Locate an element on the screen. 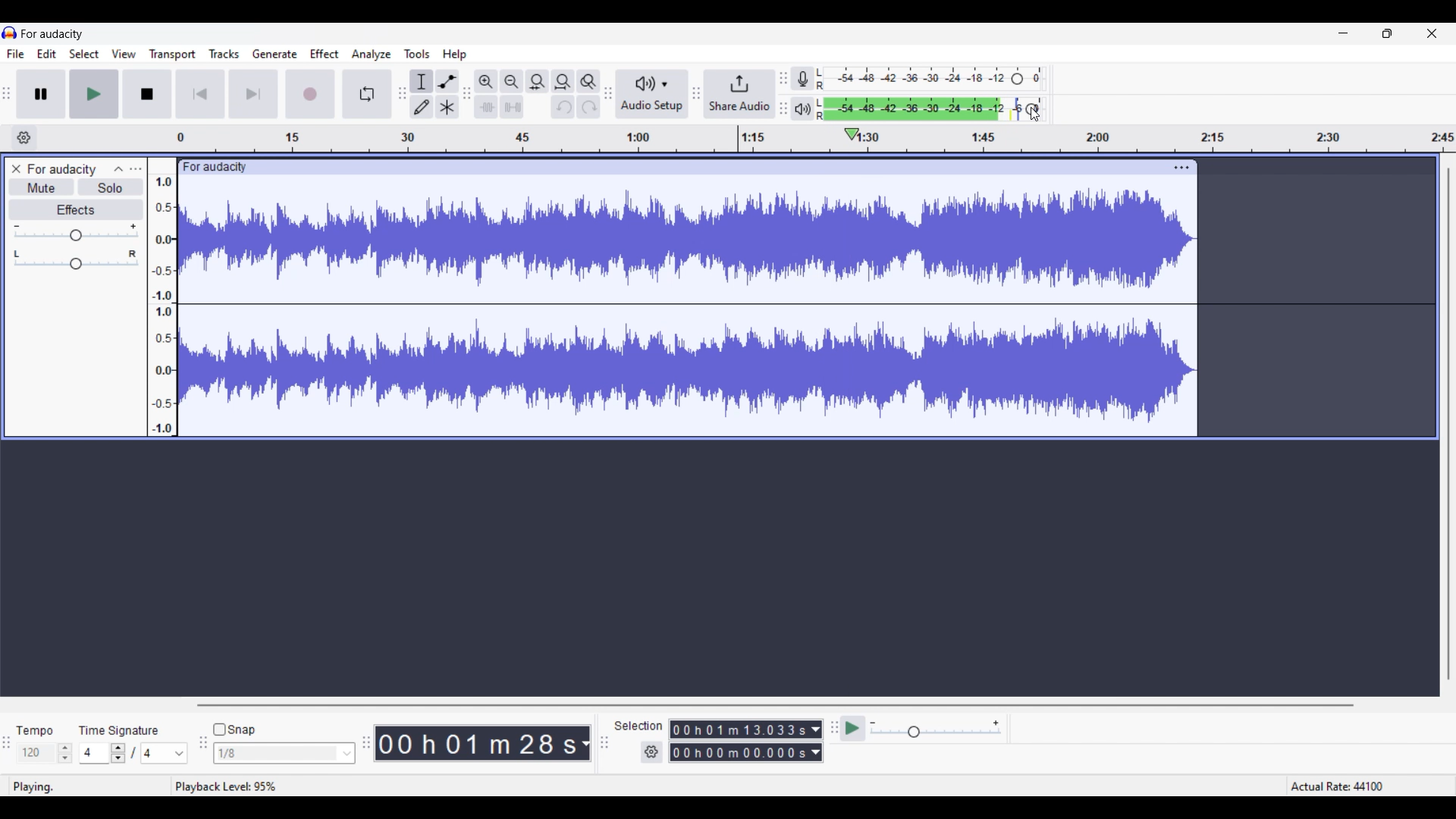 This screenshot has height=819, width=1456. Help menu is located at coordinates (454, 55).